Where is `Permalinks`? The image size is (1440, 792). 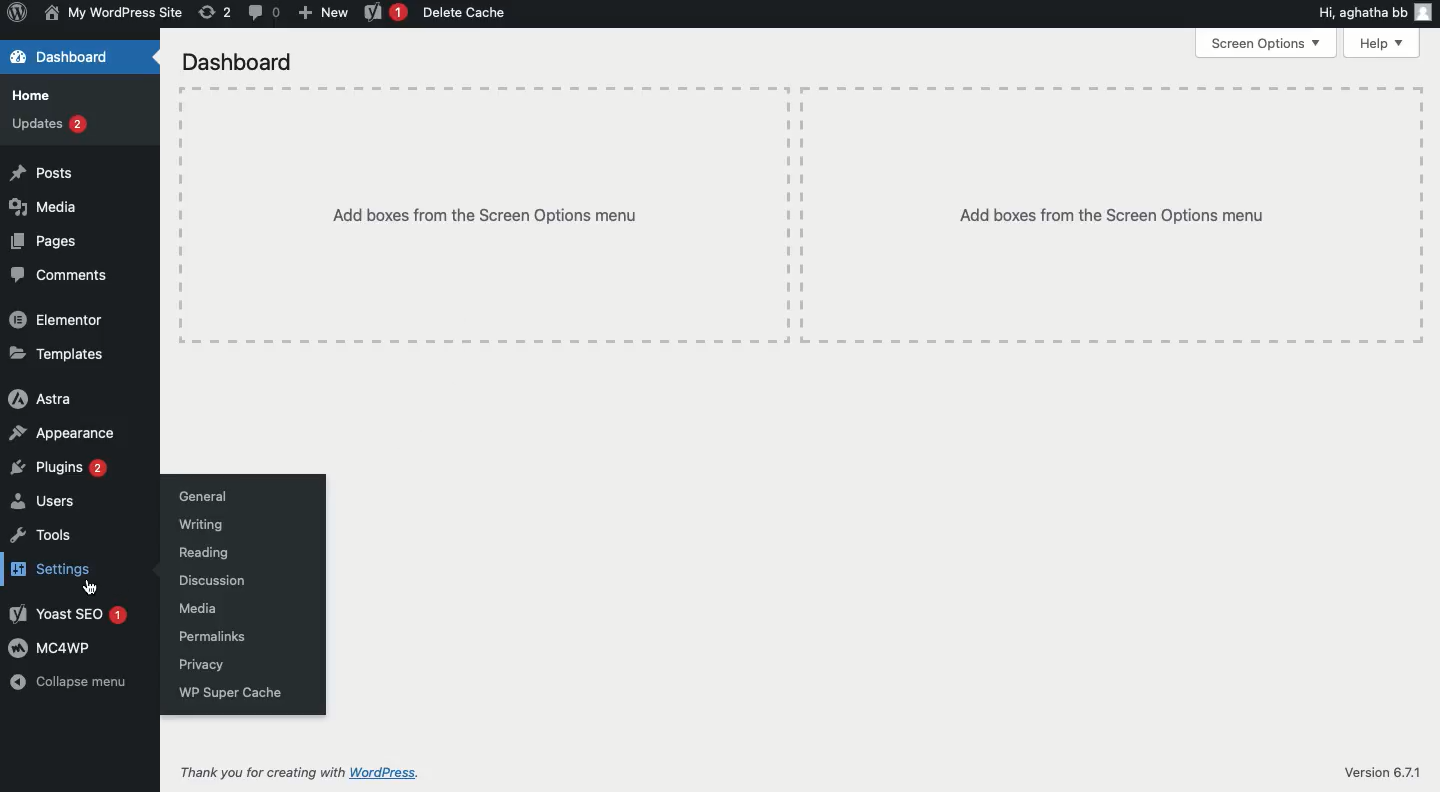
Permalinks is located at coordinates (208, 636).